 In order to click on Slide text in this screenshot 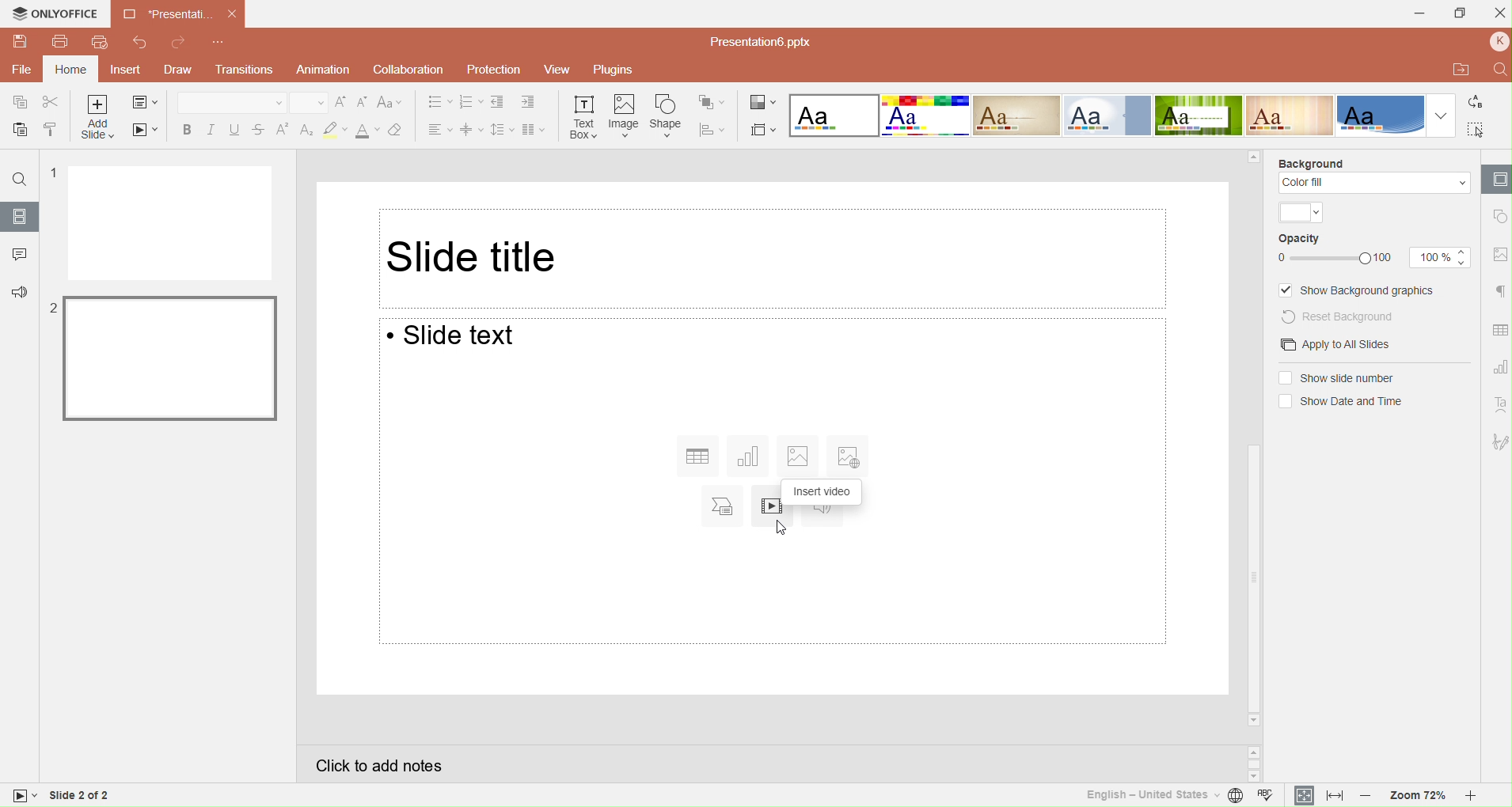, I will do `click(465, 335)`.